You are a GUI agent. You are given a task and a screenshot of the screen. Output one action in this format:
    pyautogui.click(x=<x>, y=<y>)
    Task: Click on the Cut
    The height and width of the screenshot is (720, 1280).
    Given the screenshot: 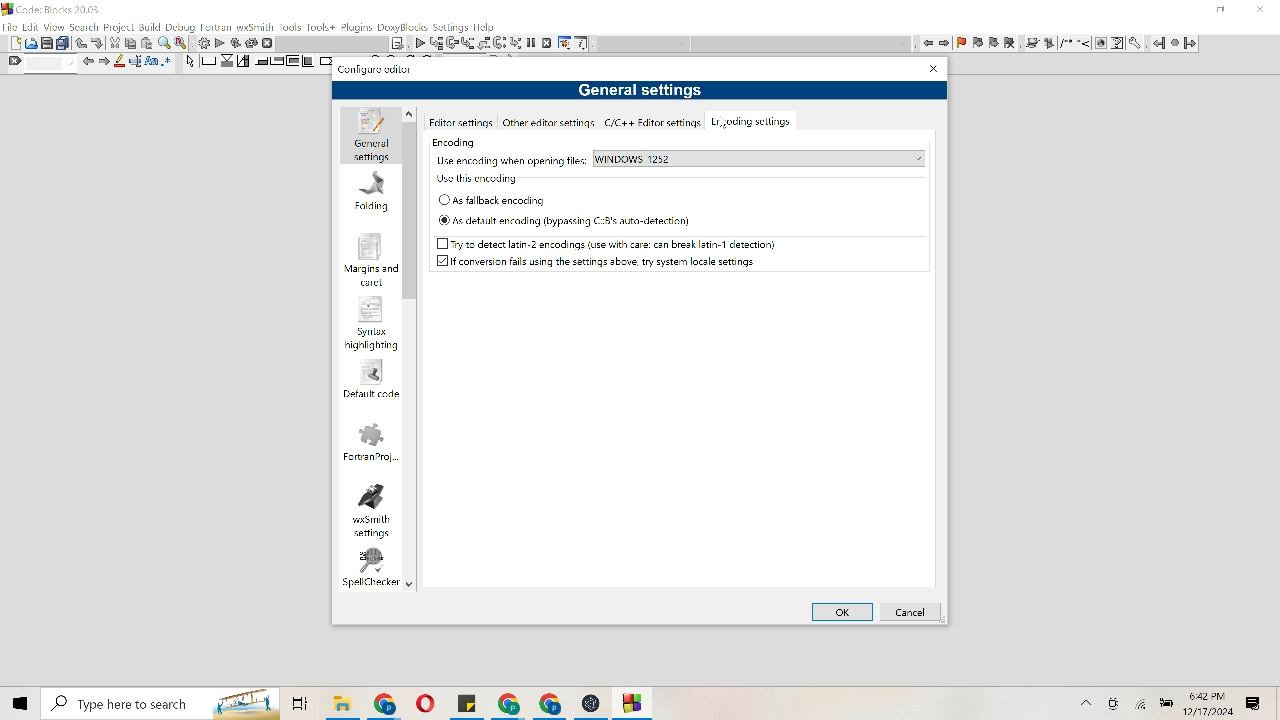 What is the action you would take?
    pyautogui.click(x=139, y=43)
    